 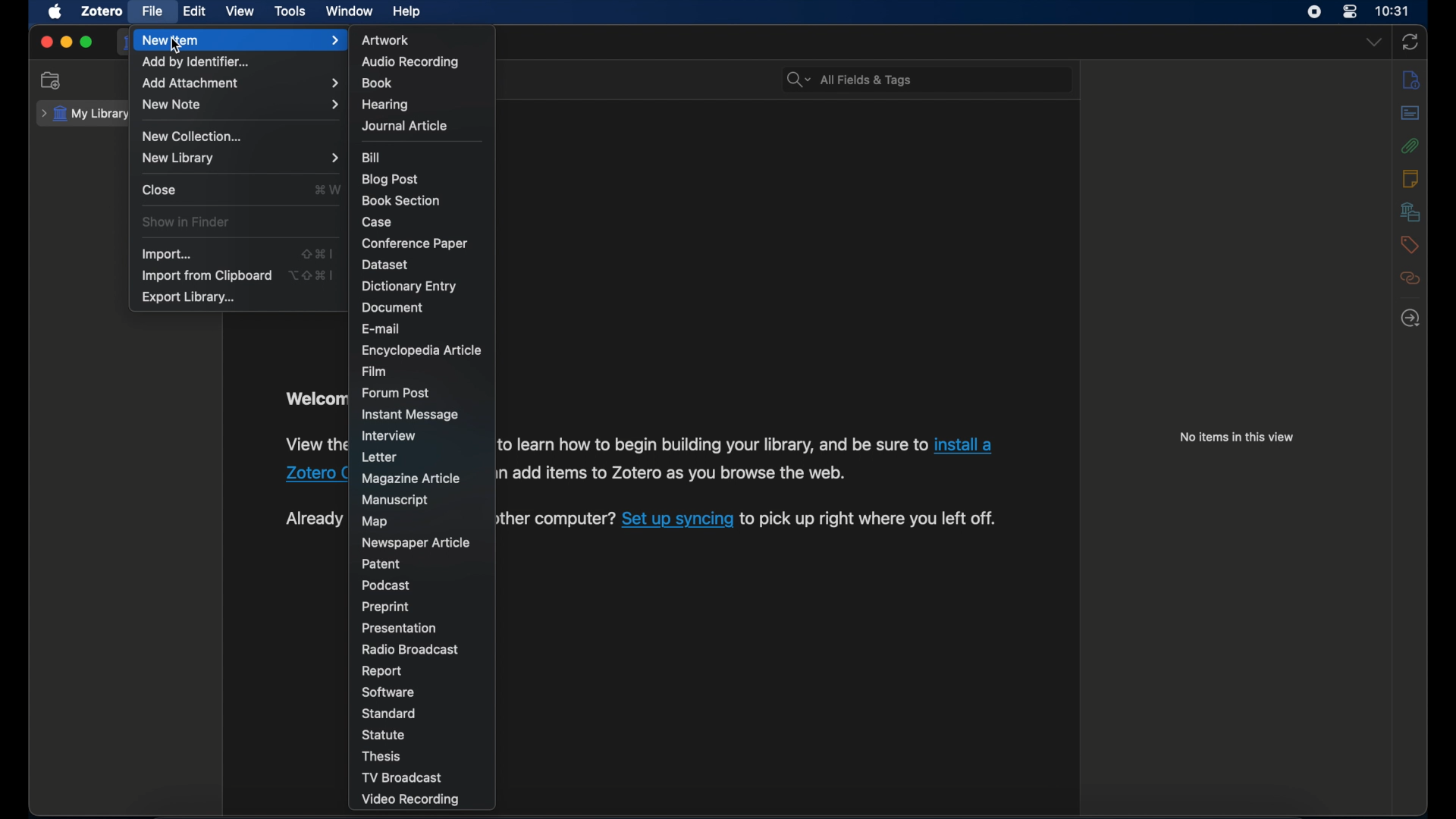 What do you see at coordinates (388, 692) in the screenshot?
I see `software` at bounding box center [388, 692].